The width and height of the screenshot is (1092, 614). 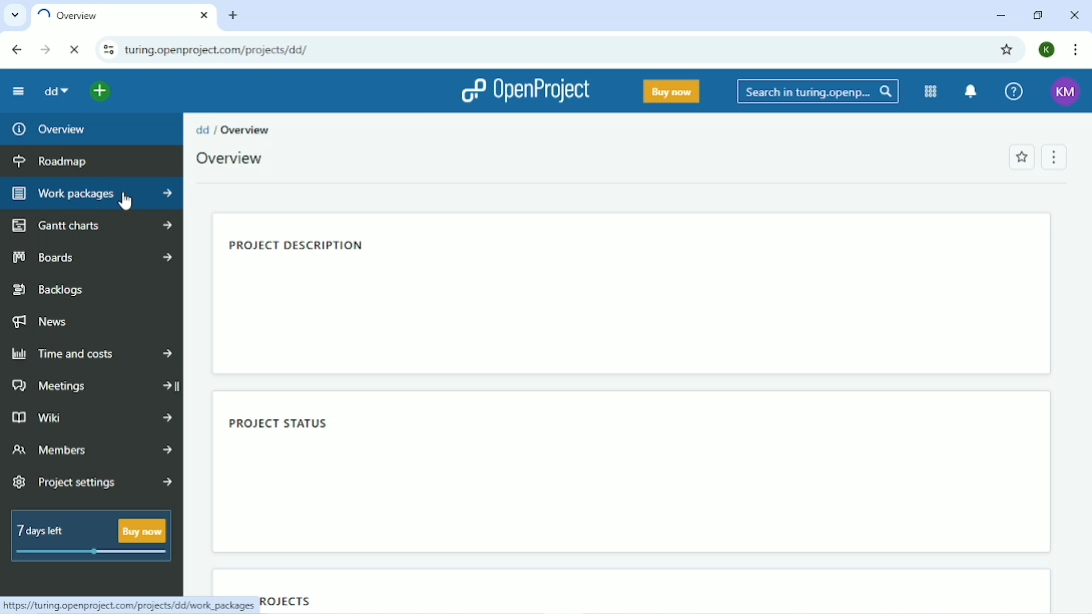 I want to click on Current tab, so click(x=125, y=16).